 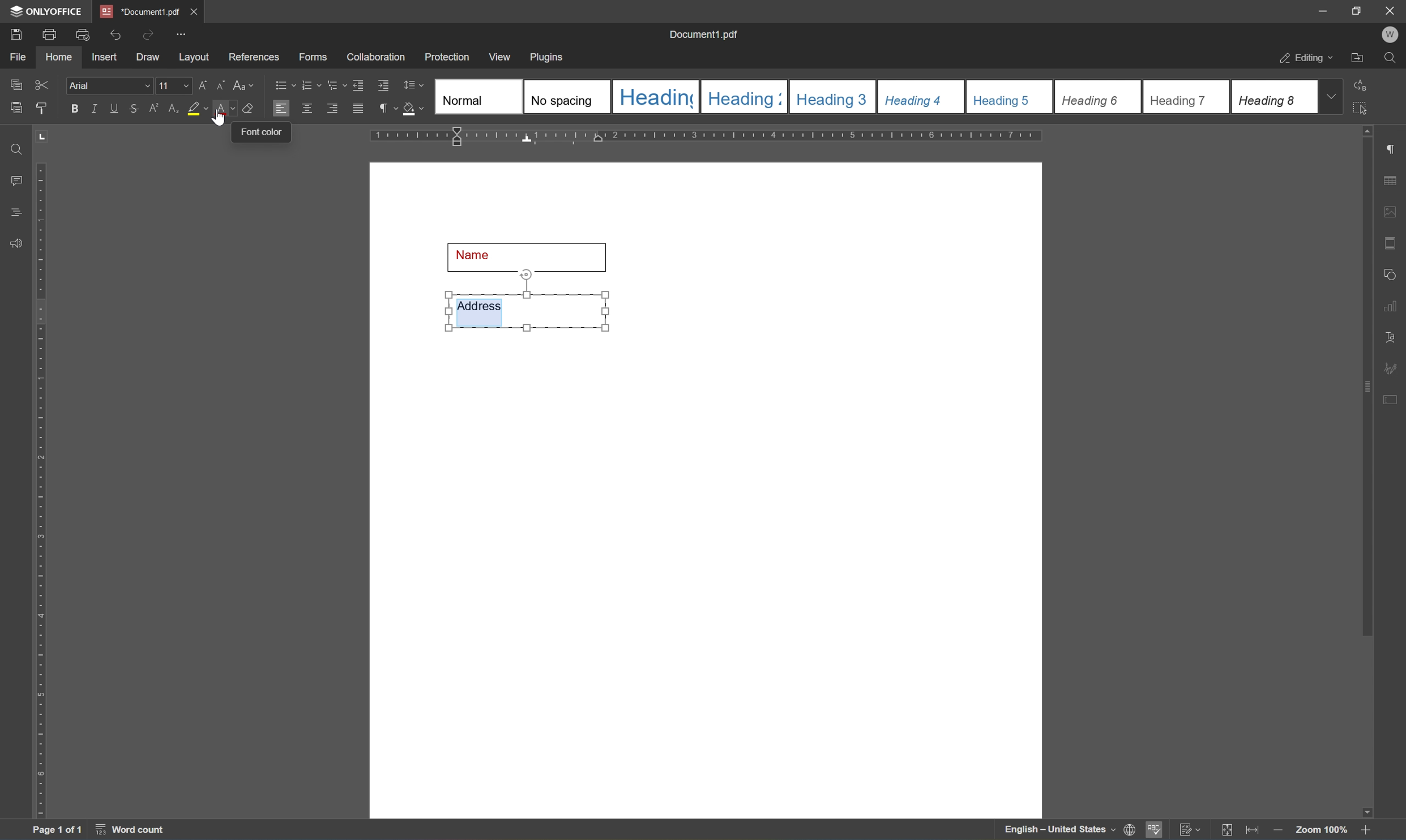 I want to click on table settings, so click(x=1392, y=179).